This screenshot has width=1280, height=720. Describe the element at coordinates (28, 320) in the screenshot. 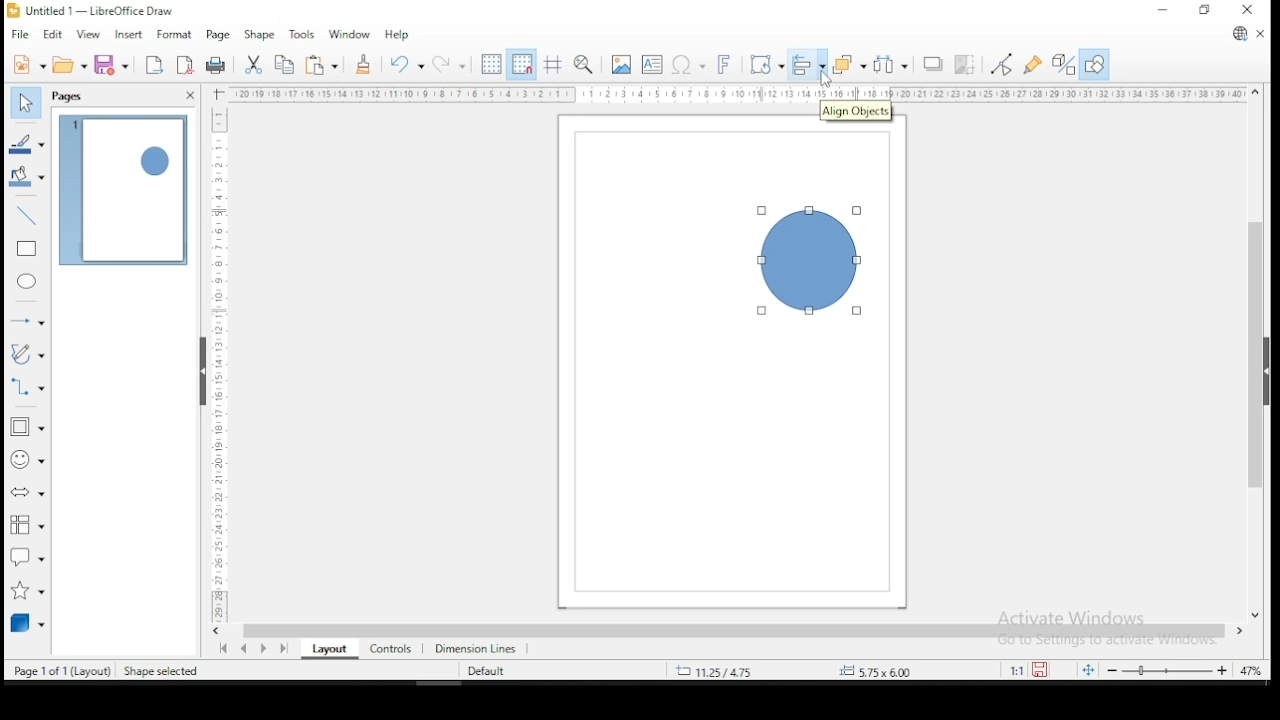

I see `lines and arrows` at that location.